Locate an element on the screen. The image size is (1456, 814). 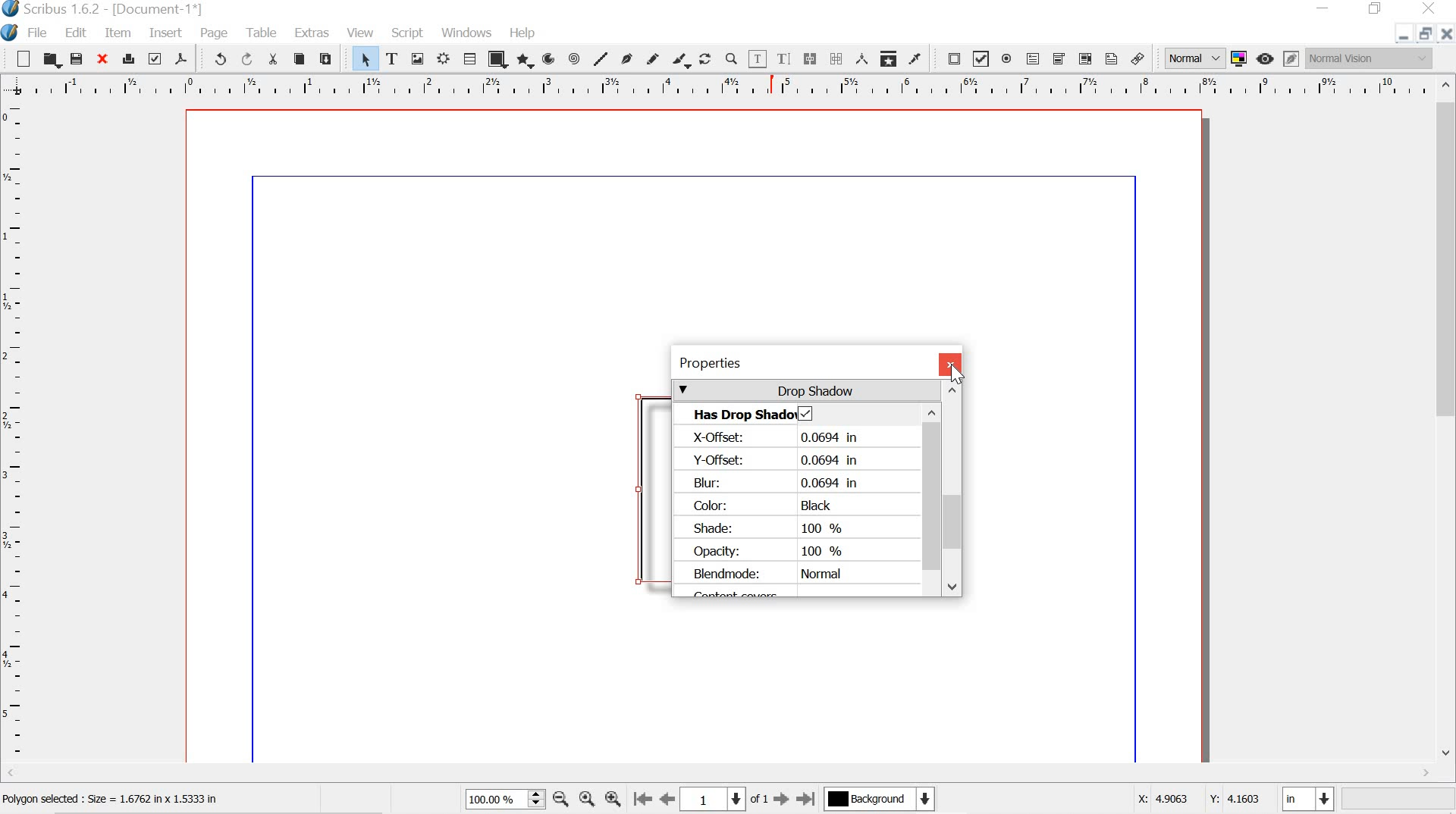
new is located at coordinates (23, 58).